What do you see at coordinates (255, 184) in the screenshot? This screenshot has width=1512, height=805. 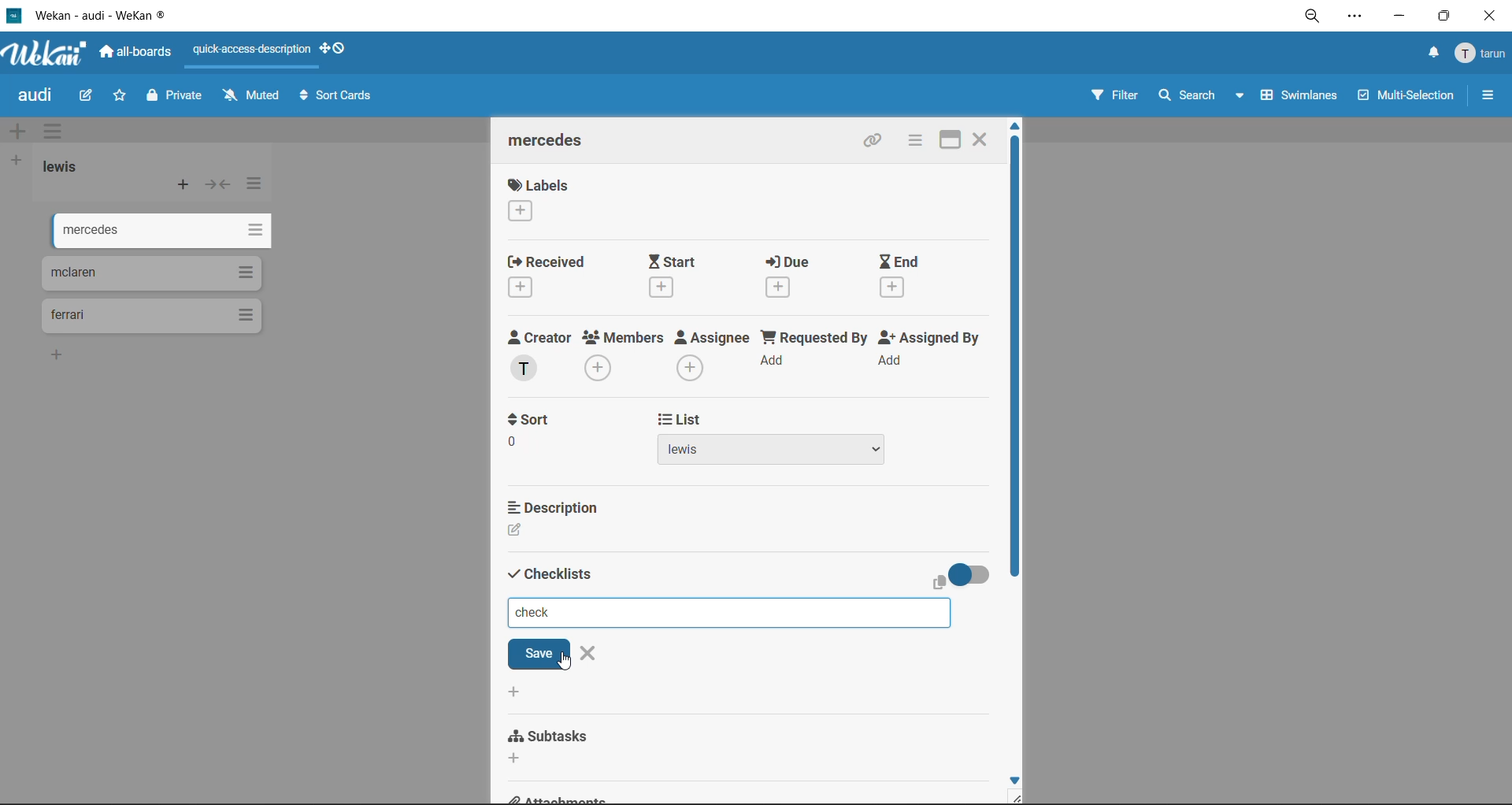 I see `list actions` at bounding box center [255, 184].